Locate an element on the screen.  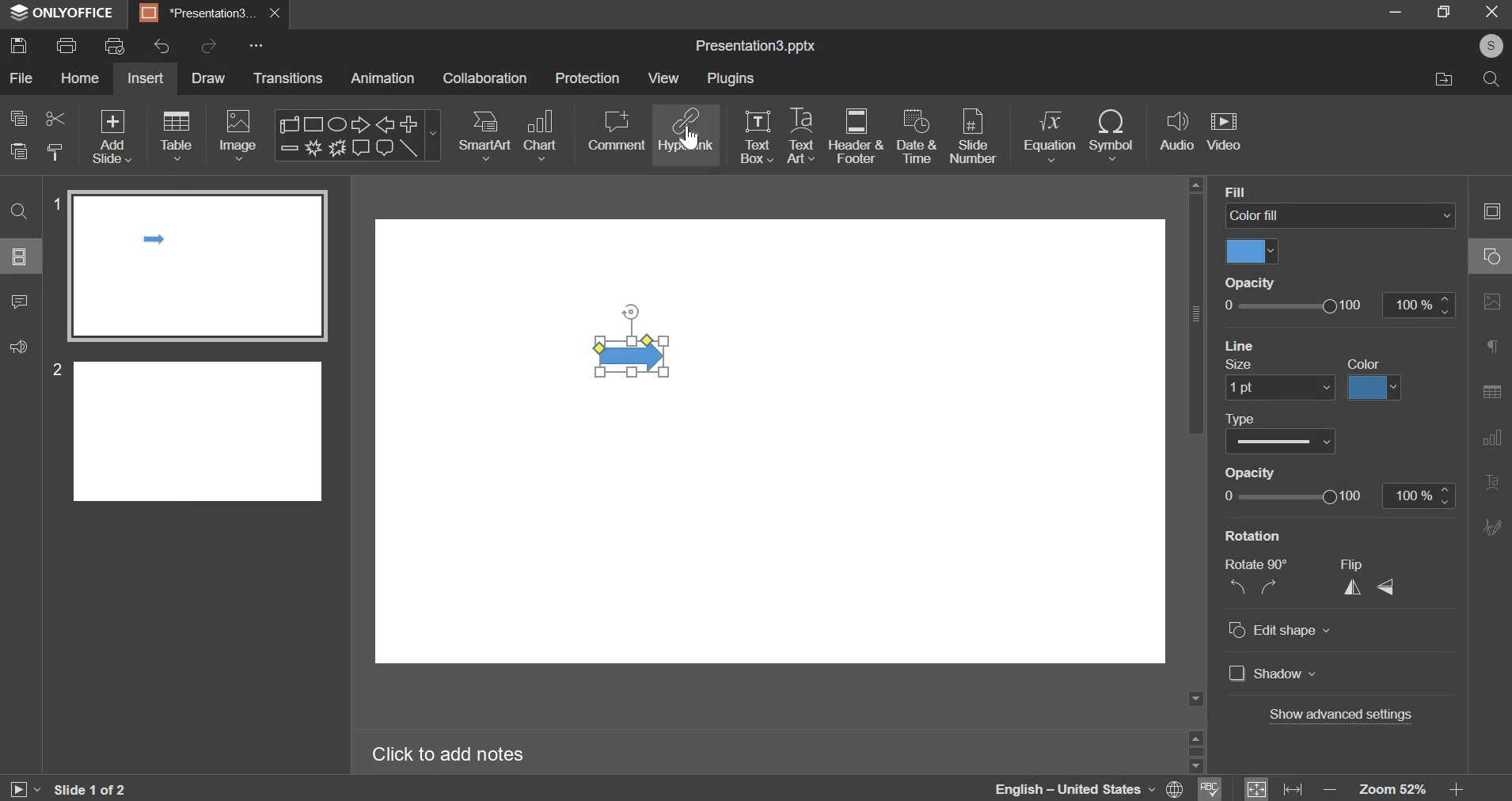
add slide is located at coordinates (112, 136).